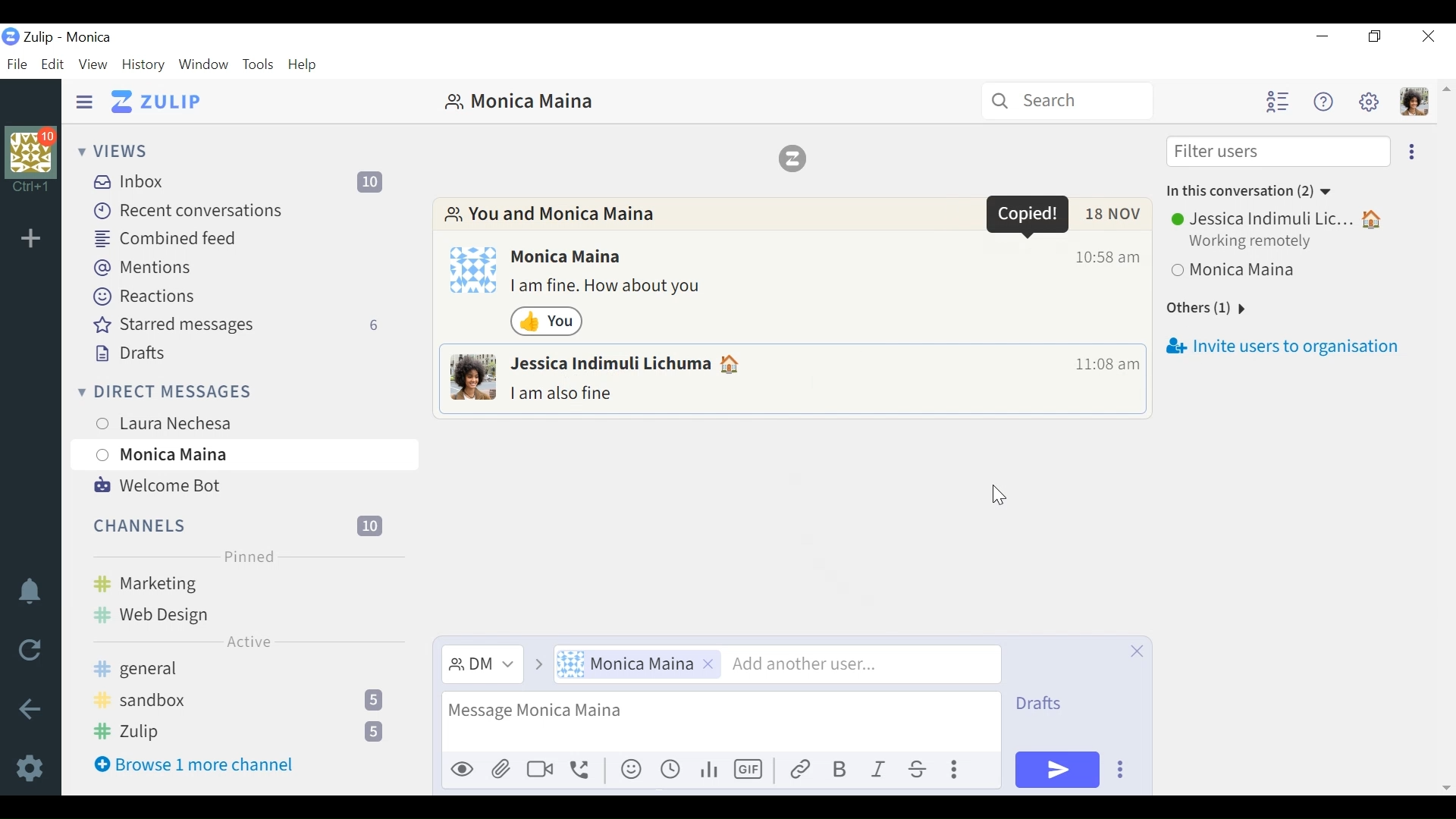  What do you see at coordinates (570, 257) in the screenshot?
I see `Monica Maina` at bounding box center [570, 257].